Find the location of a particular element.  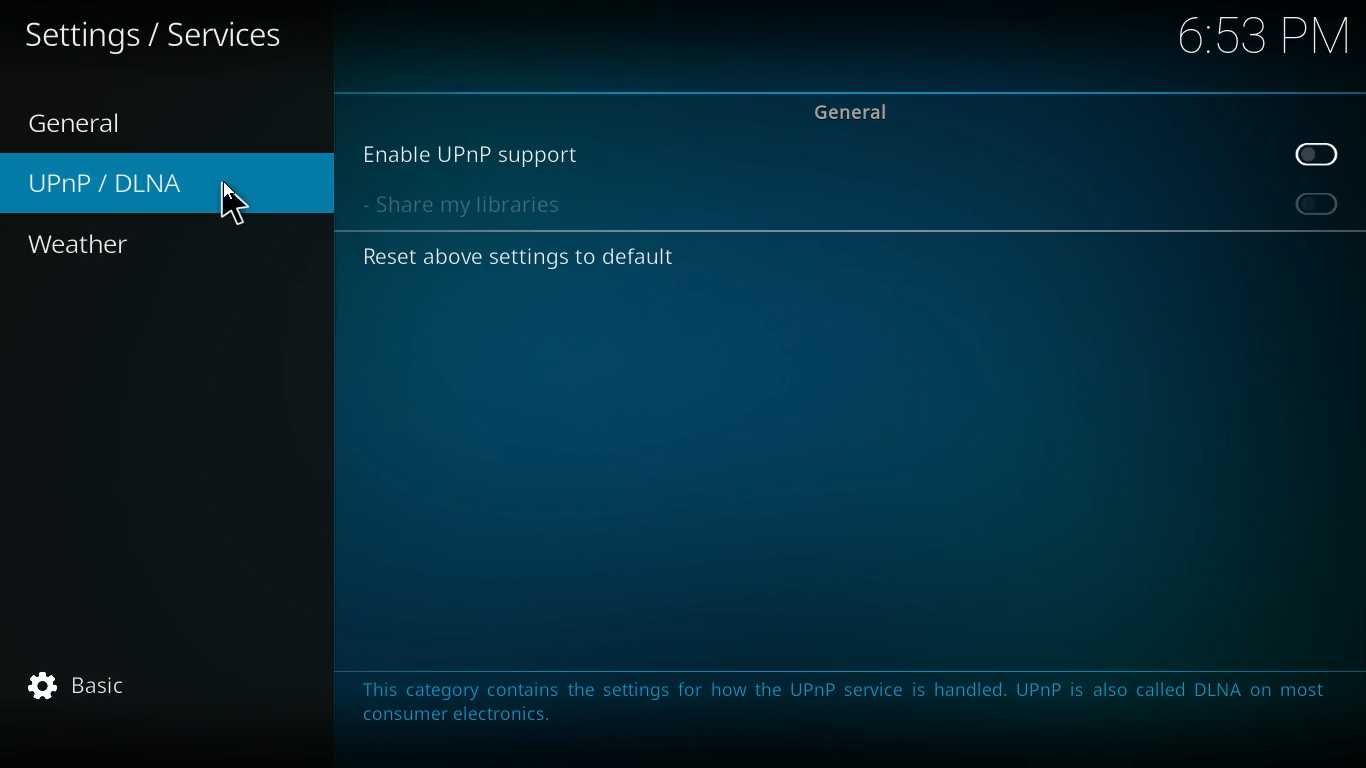

General is located at coordinates (75, 122).